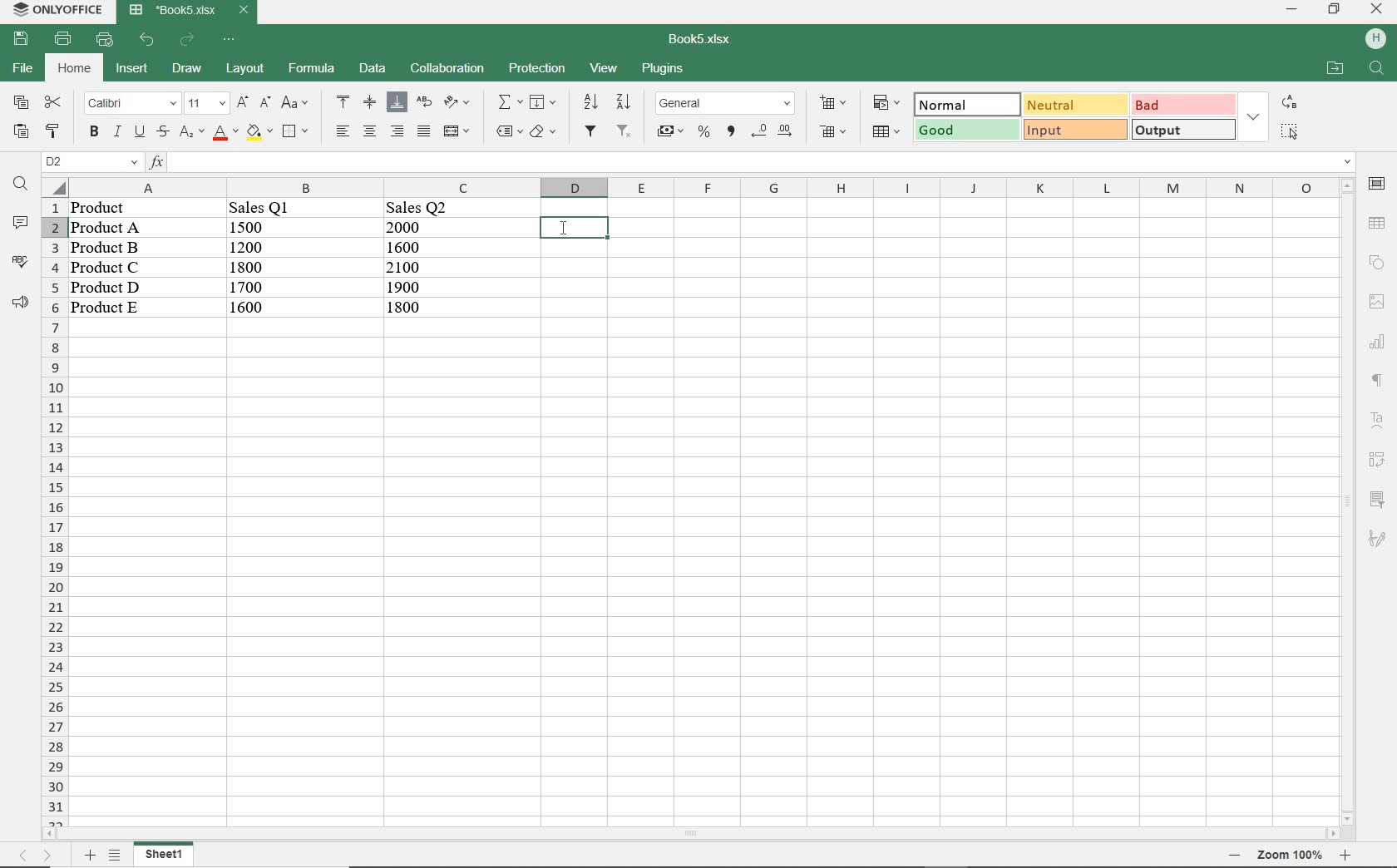 Image resolution: width=1397 pixels, height=868 pixels. What do you see at coordinates (1255, 116) in the screenshot?
I see `expand` at bounding box center [1255, 116].